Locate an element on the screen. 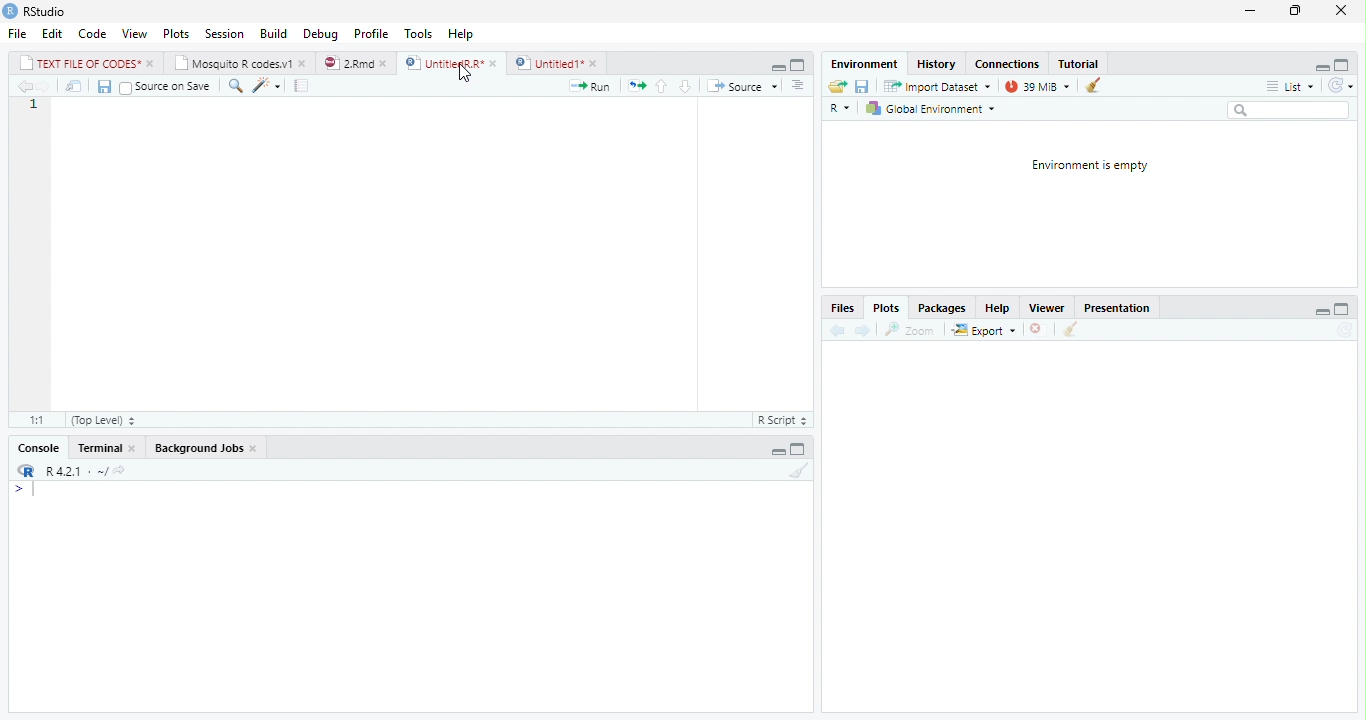  Code is located at coordinates (90, 34).